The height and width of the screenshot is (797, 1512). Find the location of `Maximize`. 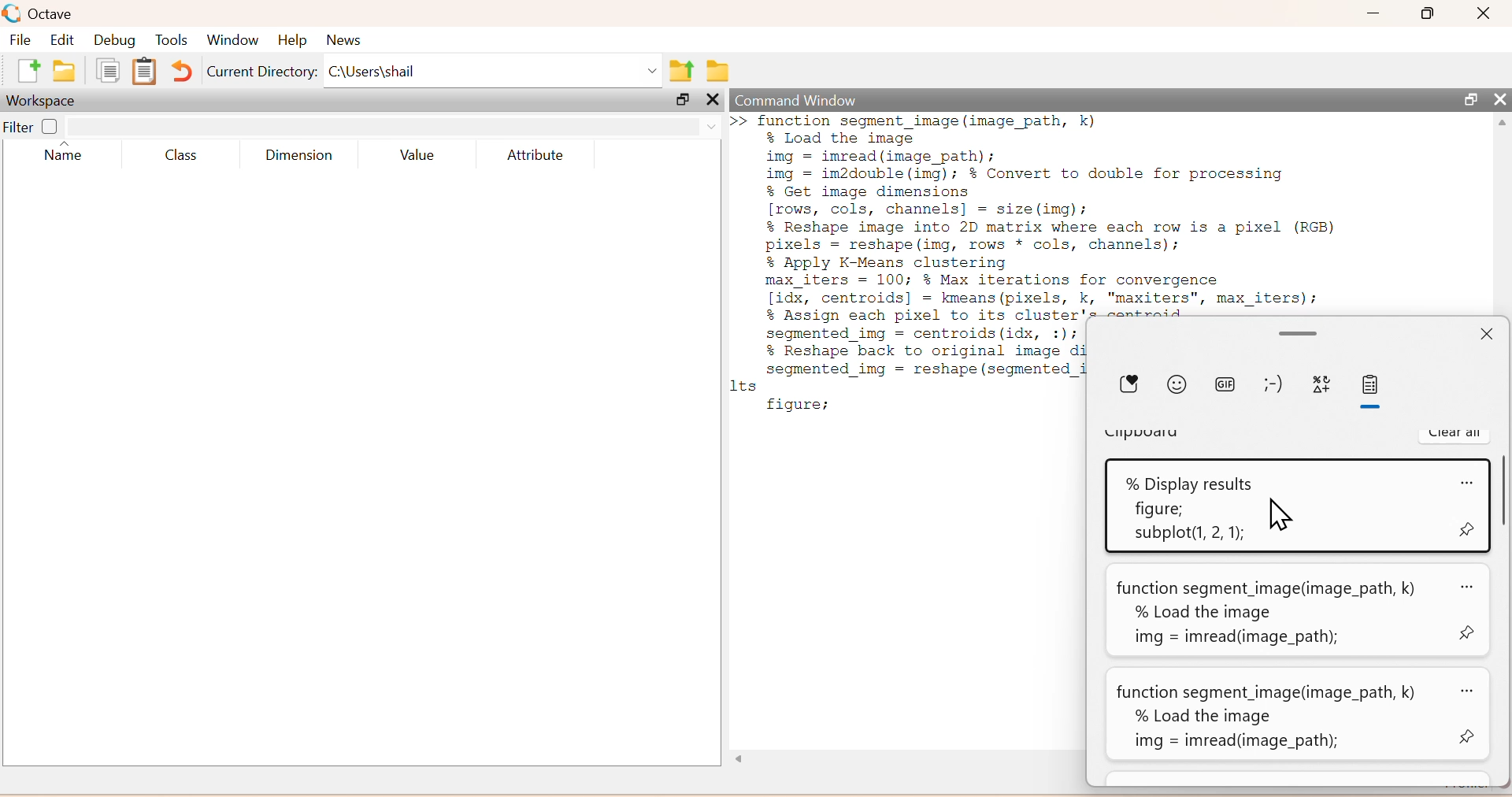

Maximize is located at coordinates (1468, 99).